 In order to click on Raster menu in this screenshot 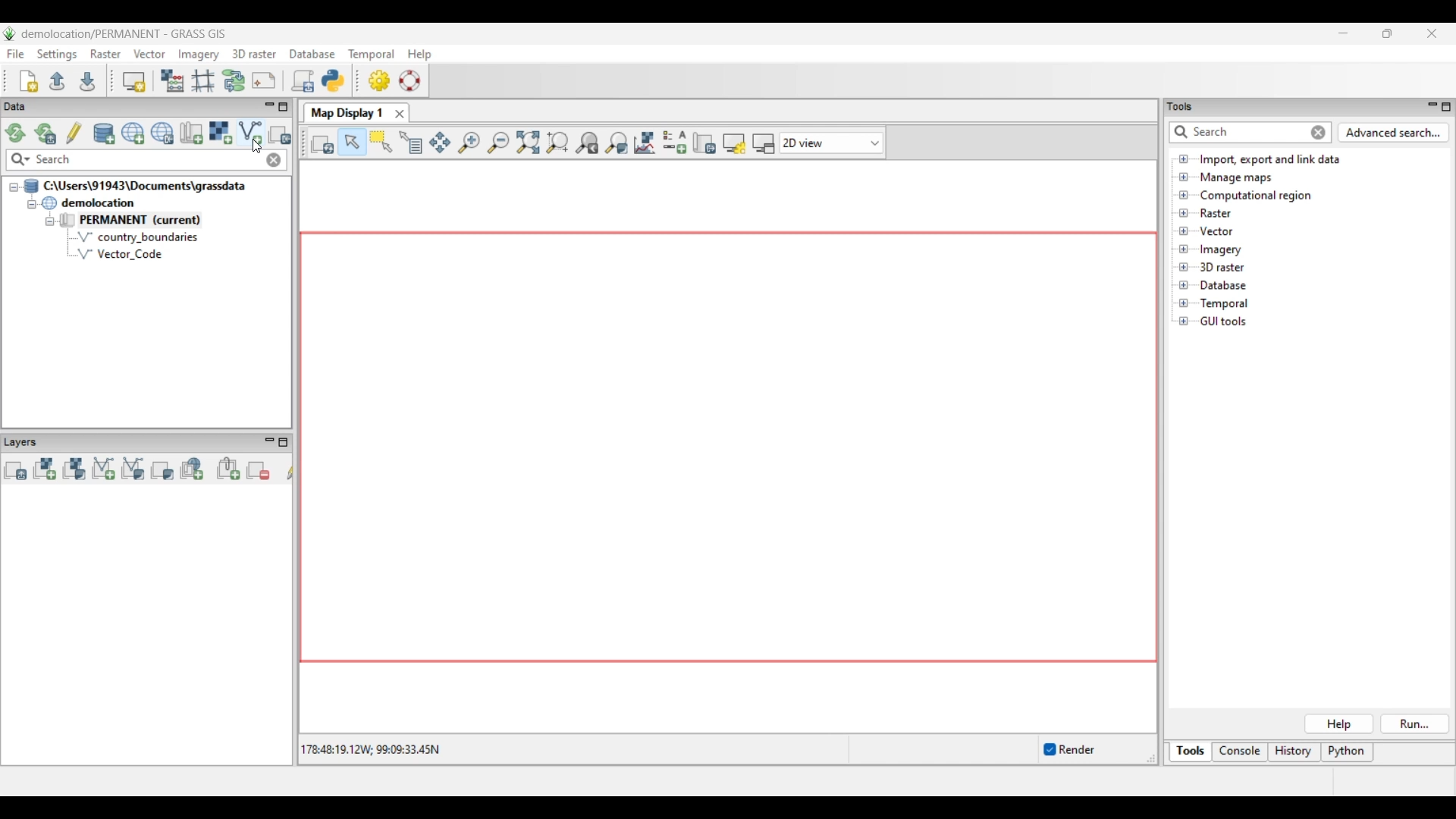, I will do `click(105, 54)`.